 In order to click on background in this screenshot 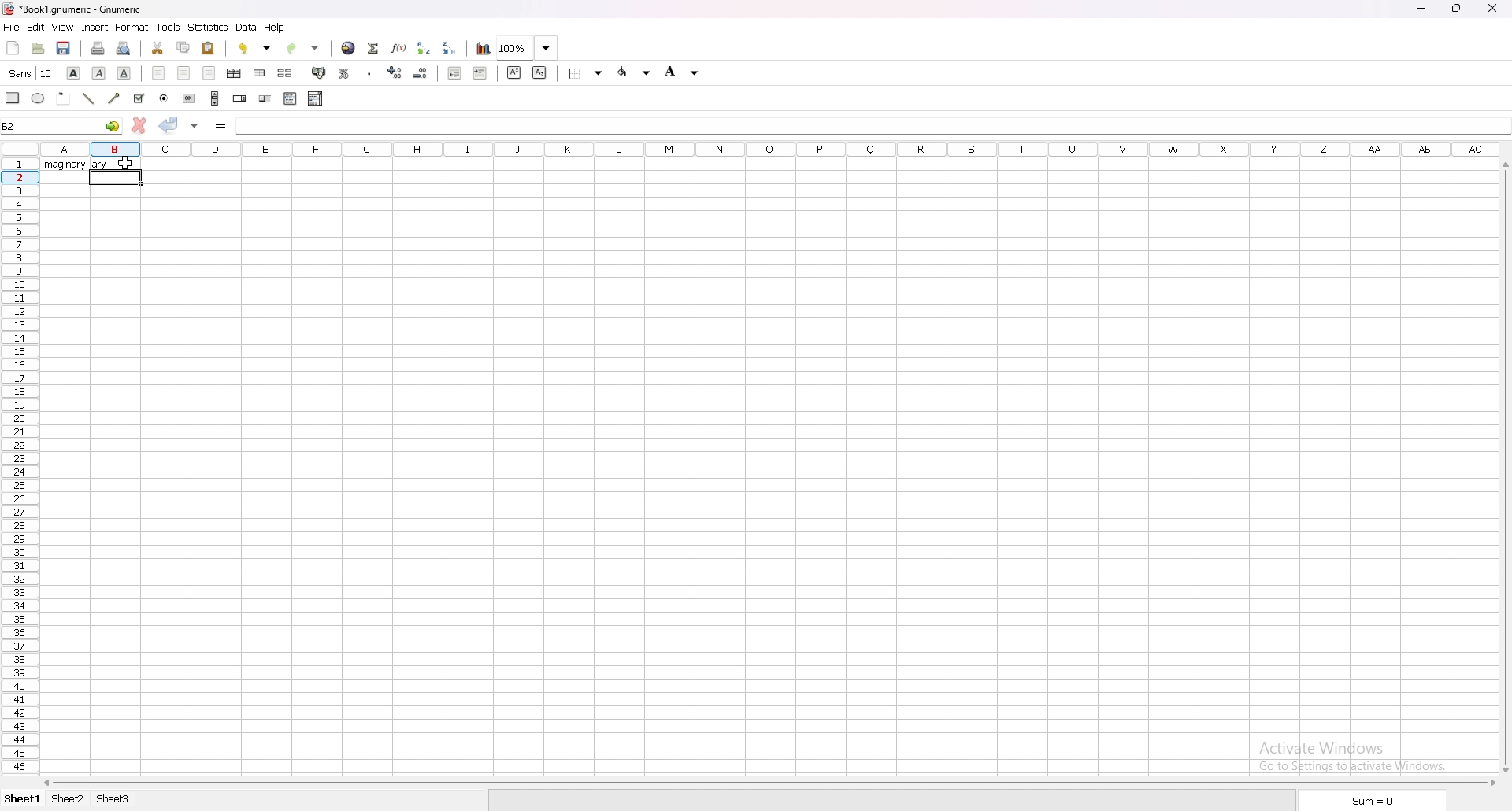, I will do `click(684, 72)`.